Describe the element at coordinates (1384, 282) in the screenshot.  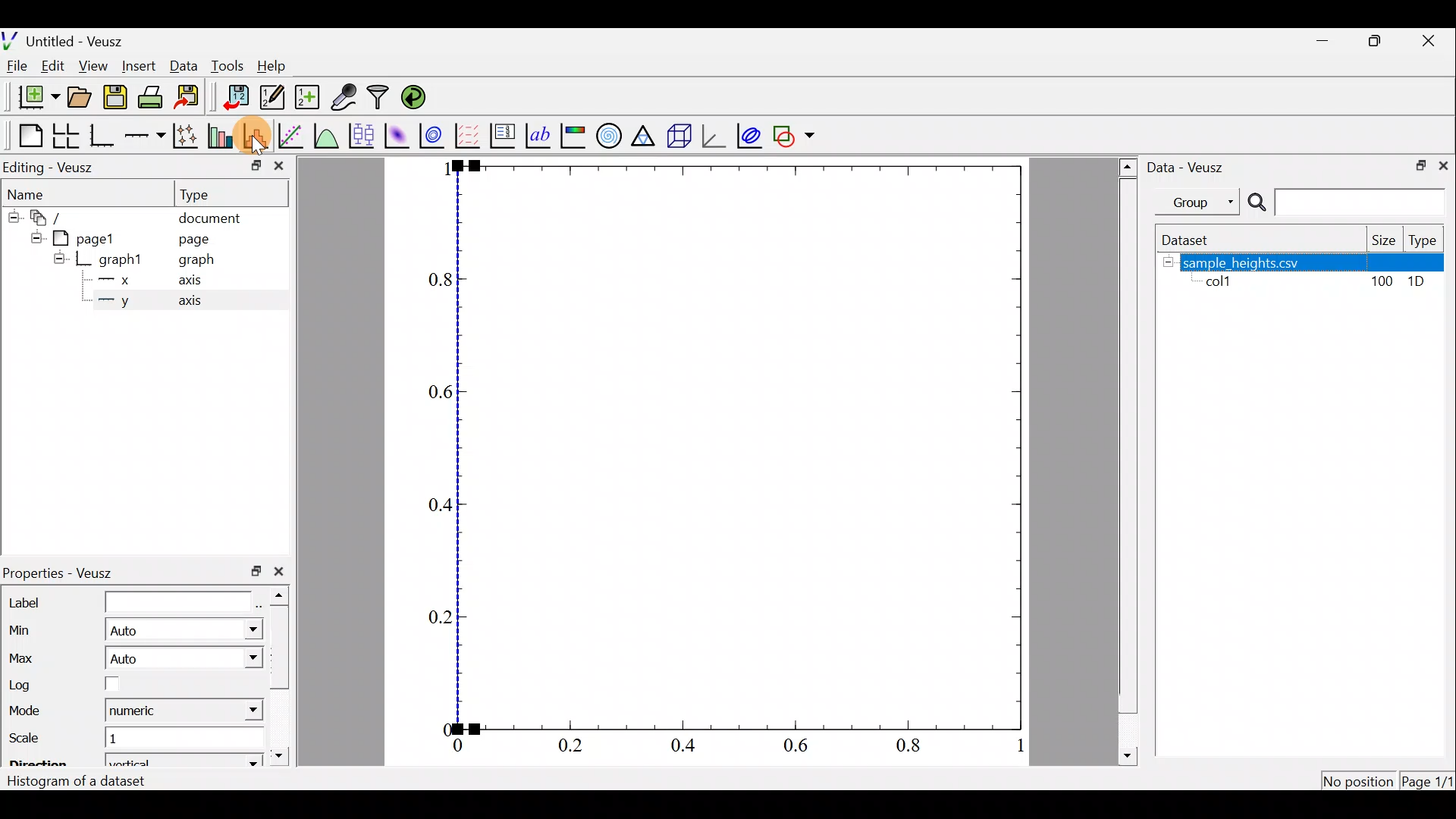
I see `100` at that location.